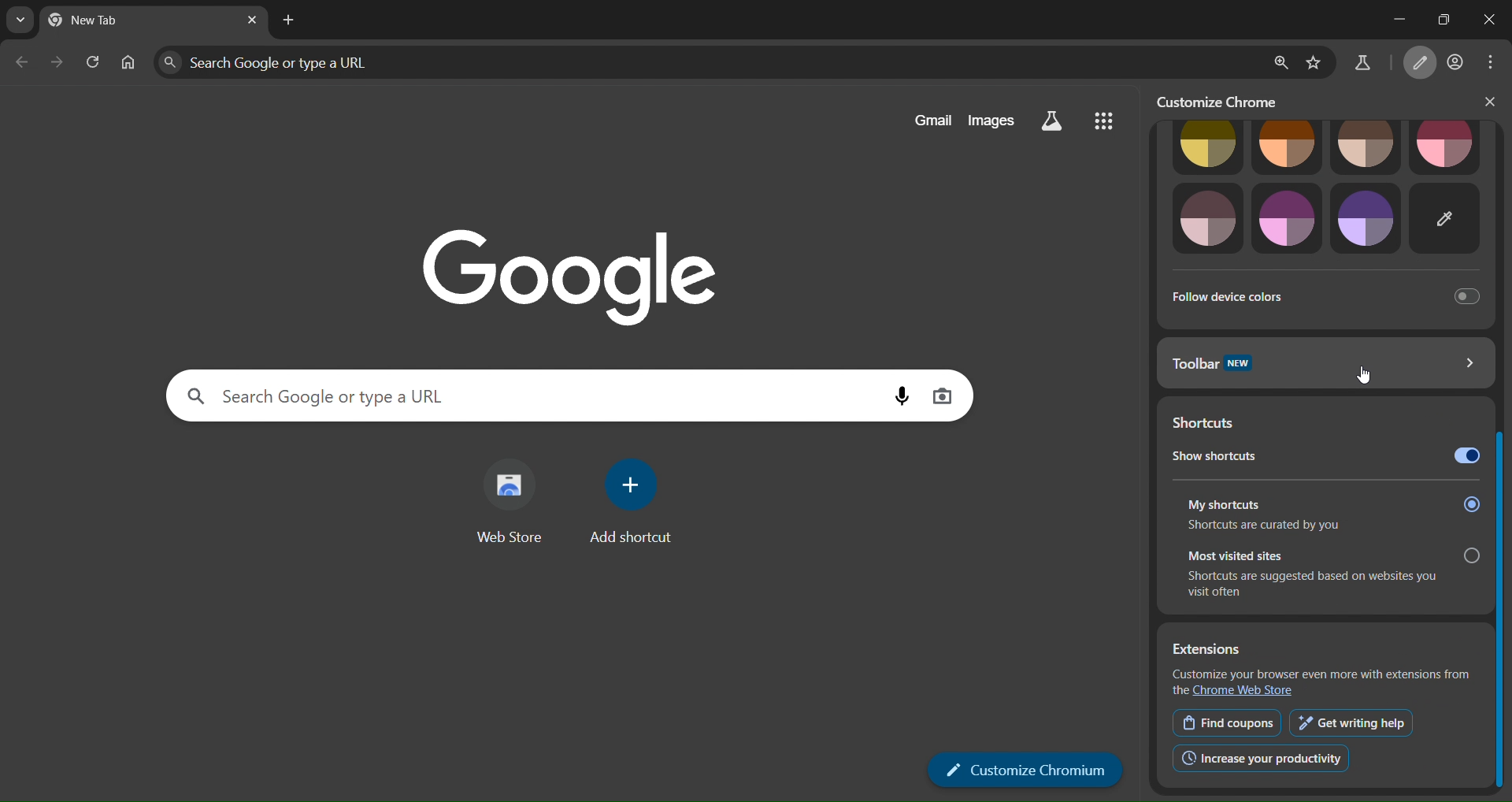 The height and width of the screenshot is (802, 1512). What do you see at coordinates (1501, 454) in the screenshot?
I see `vertical scrollbar` at bounding box center [1501, 454].